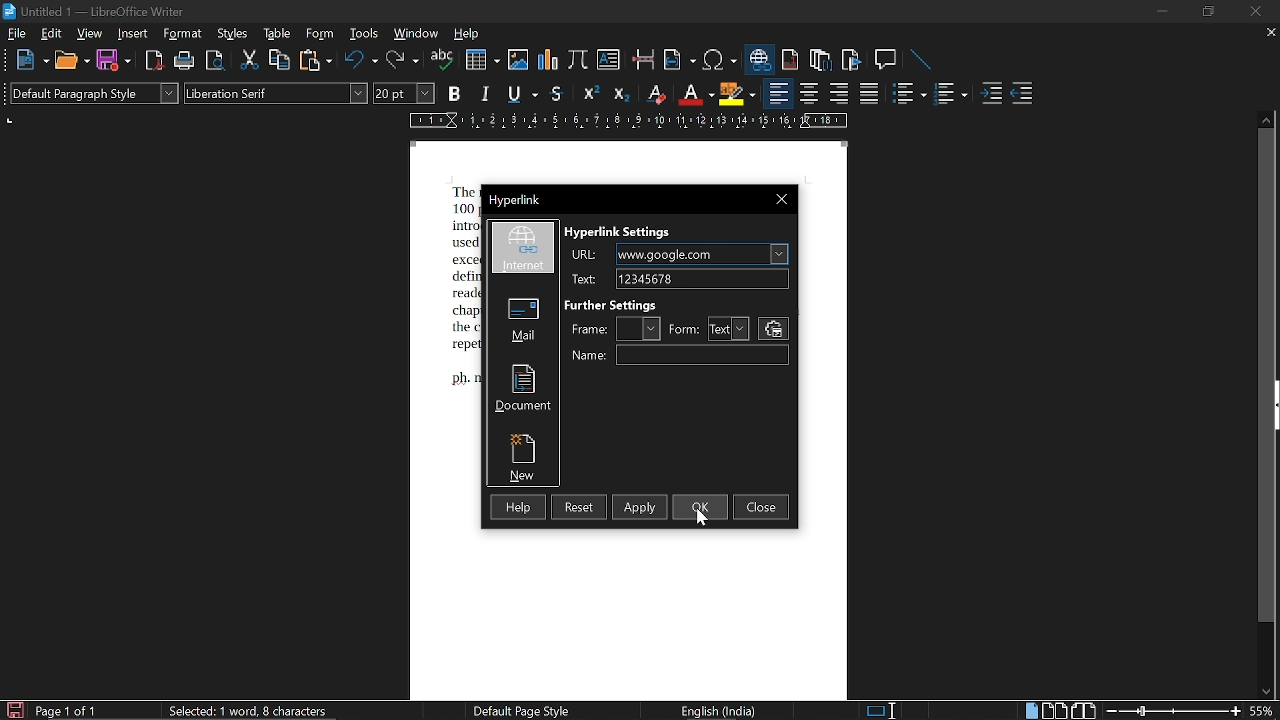 The width and height of the screenshot is (1280, 720). I want to click on font size, so click(405, 94).